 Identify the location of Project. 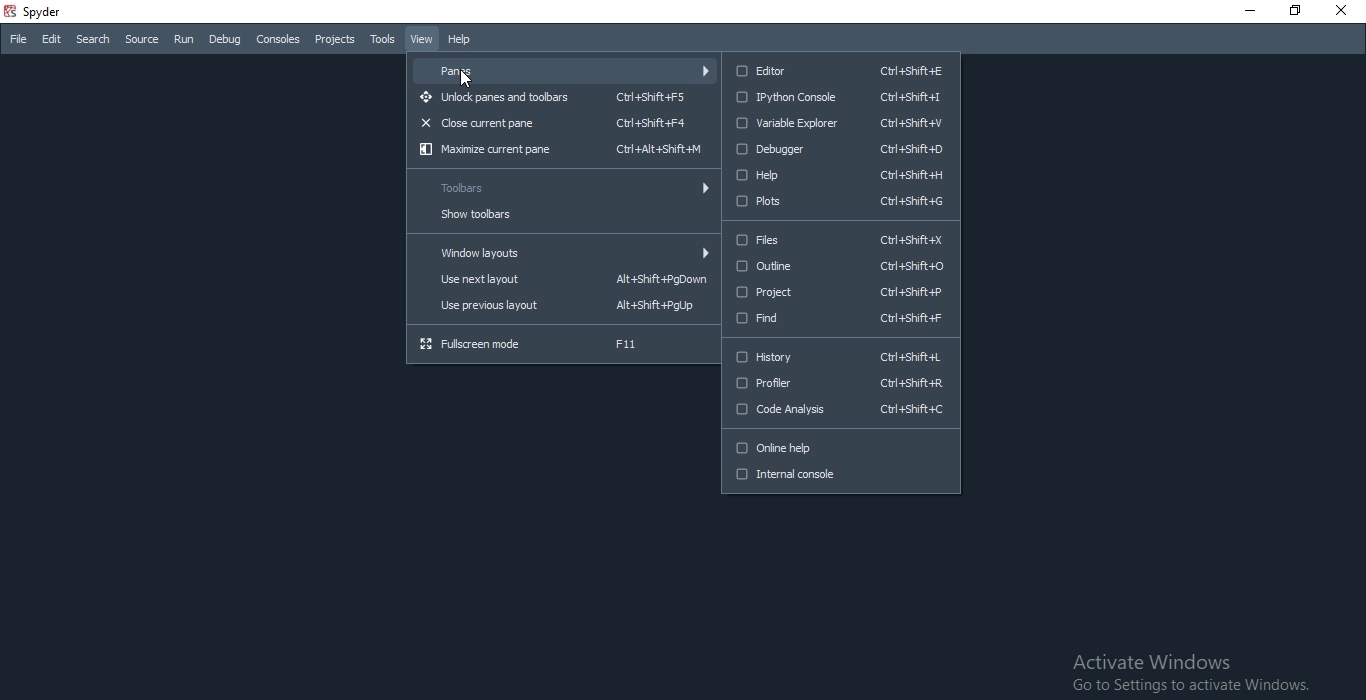
(839, 293).